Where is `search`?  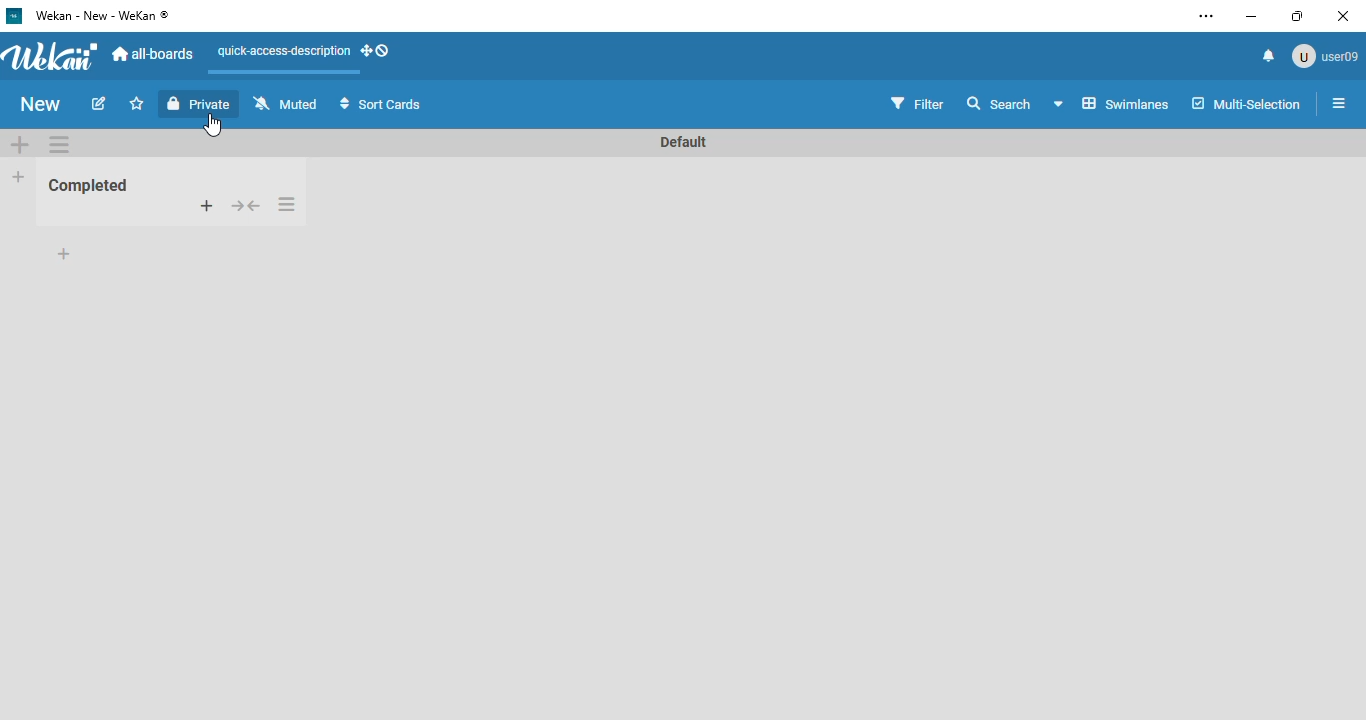
search is located at coordinates (998, 104).